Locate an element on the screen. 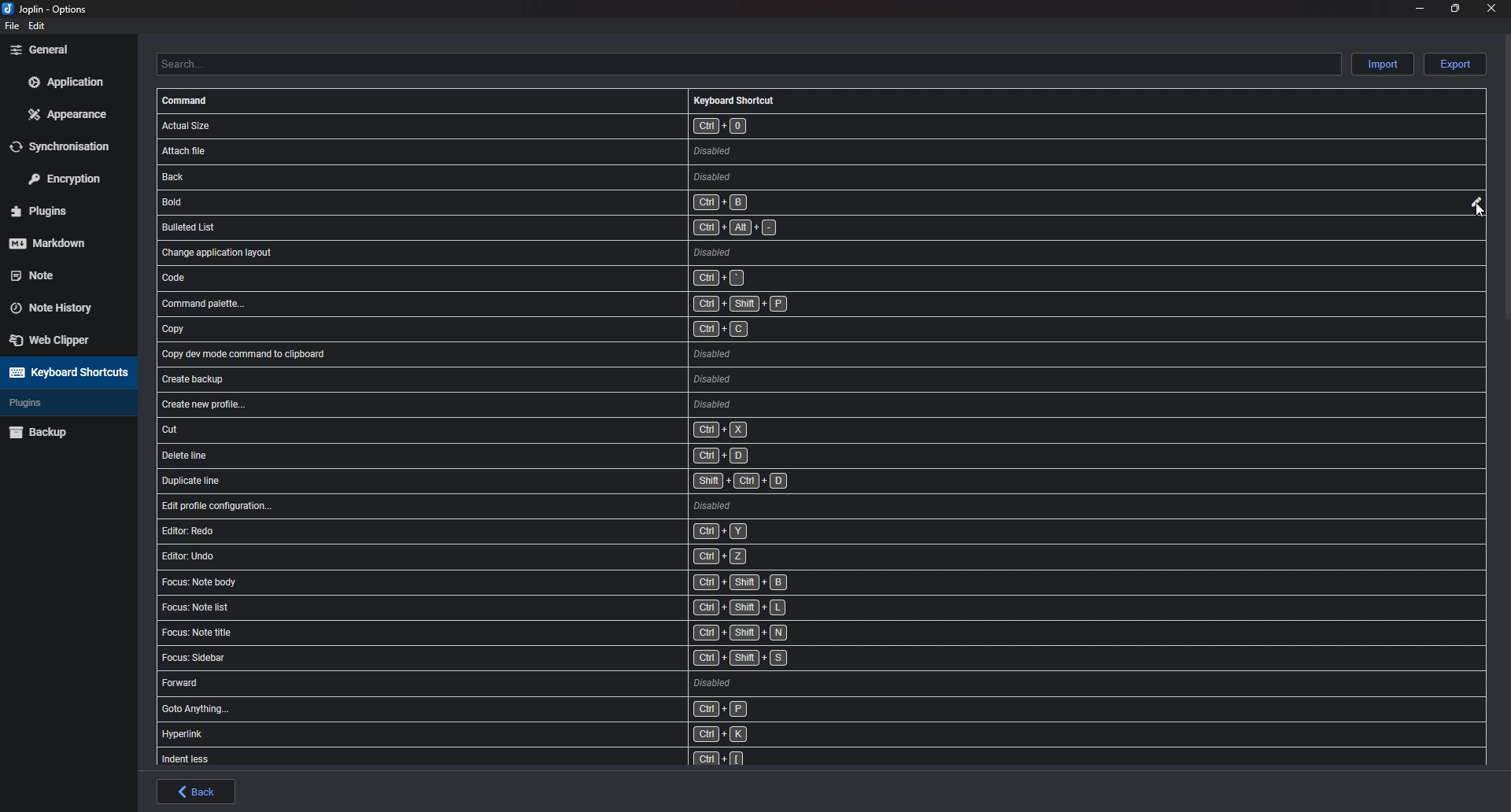 This screenshot has width=1511, height=812. cursor is located at coordinates (1479, 213).